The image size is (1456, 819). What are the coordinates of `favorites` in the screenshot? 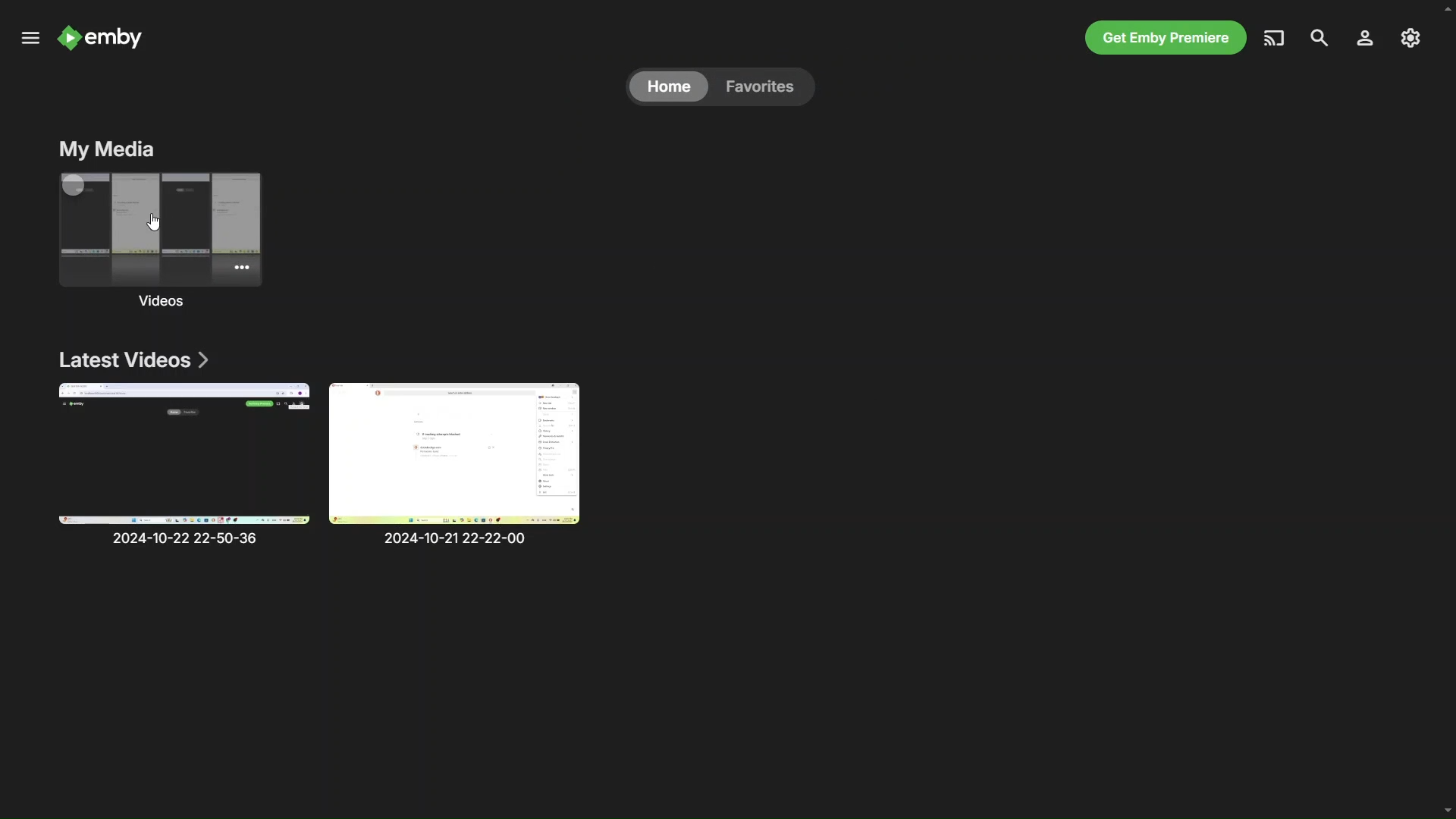 It's located at (767, 86).